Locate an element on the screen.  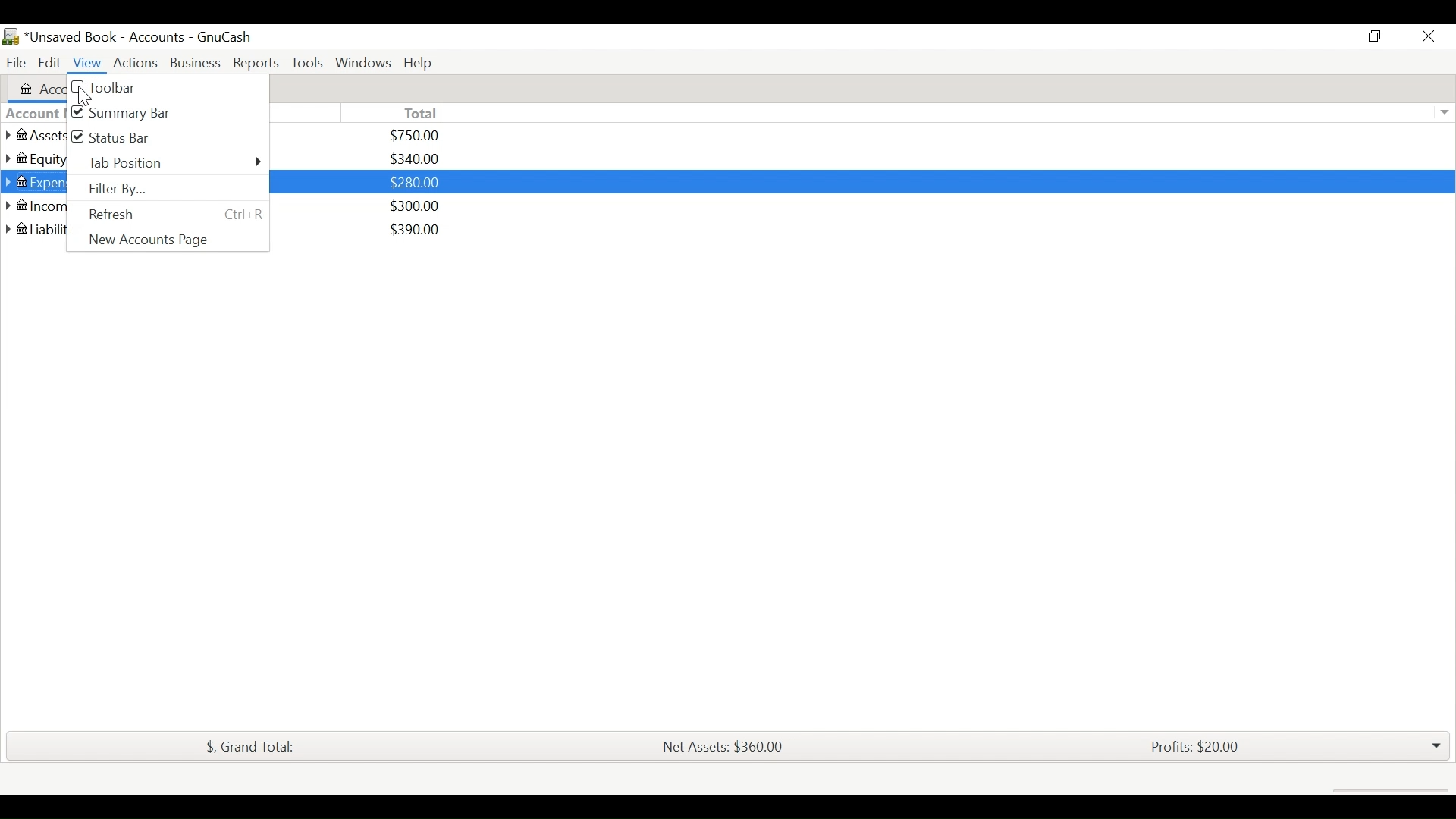
Business is located at coordinates (195, 63).